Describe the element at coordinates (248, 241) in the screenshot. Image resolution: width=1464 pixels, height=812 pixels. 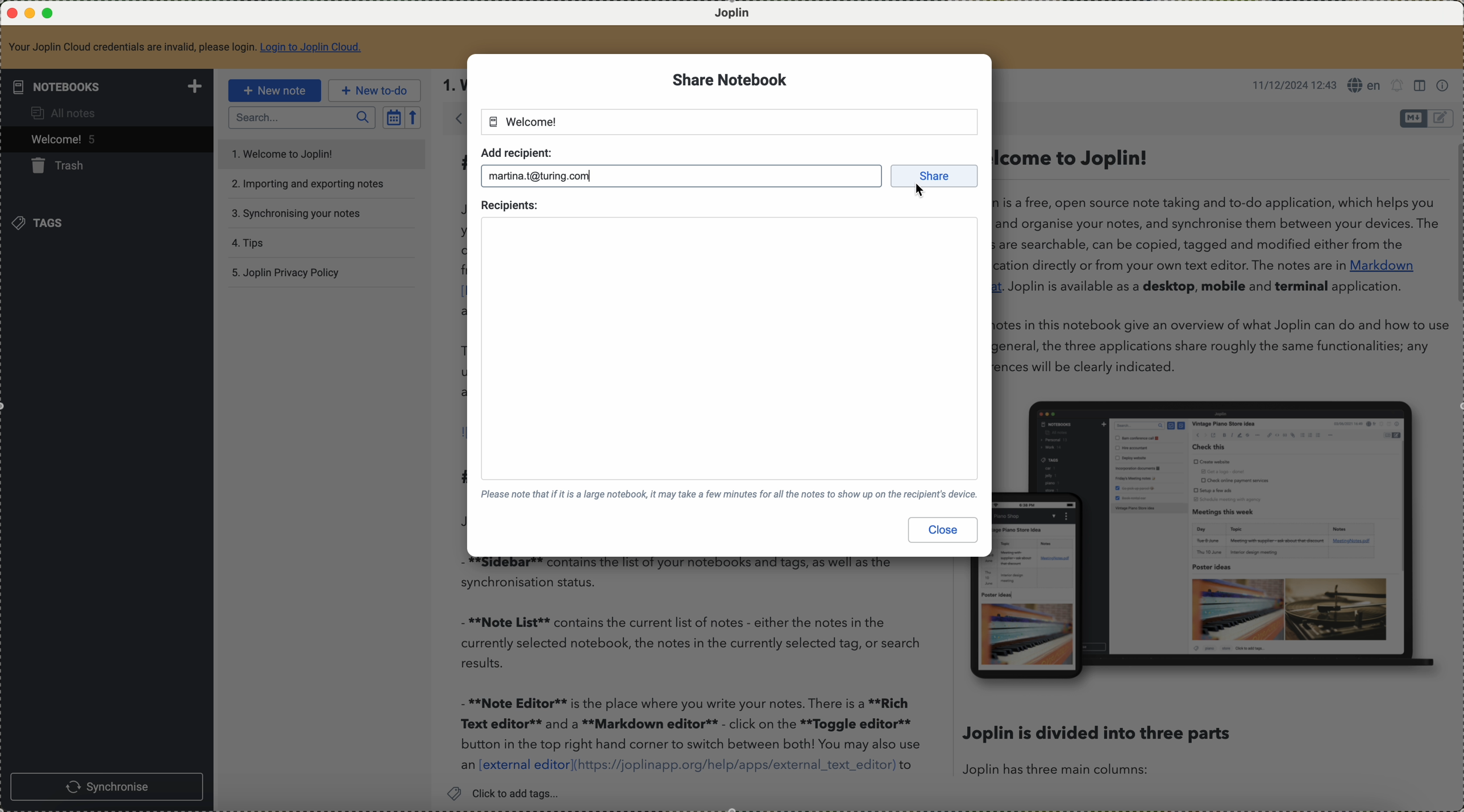
I see `tips` at that location.